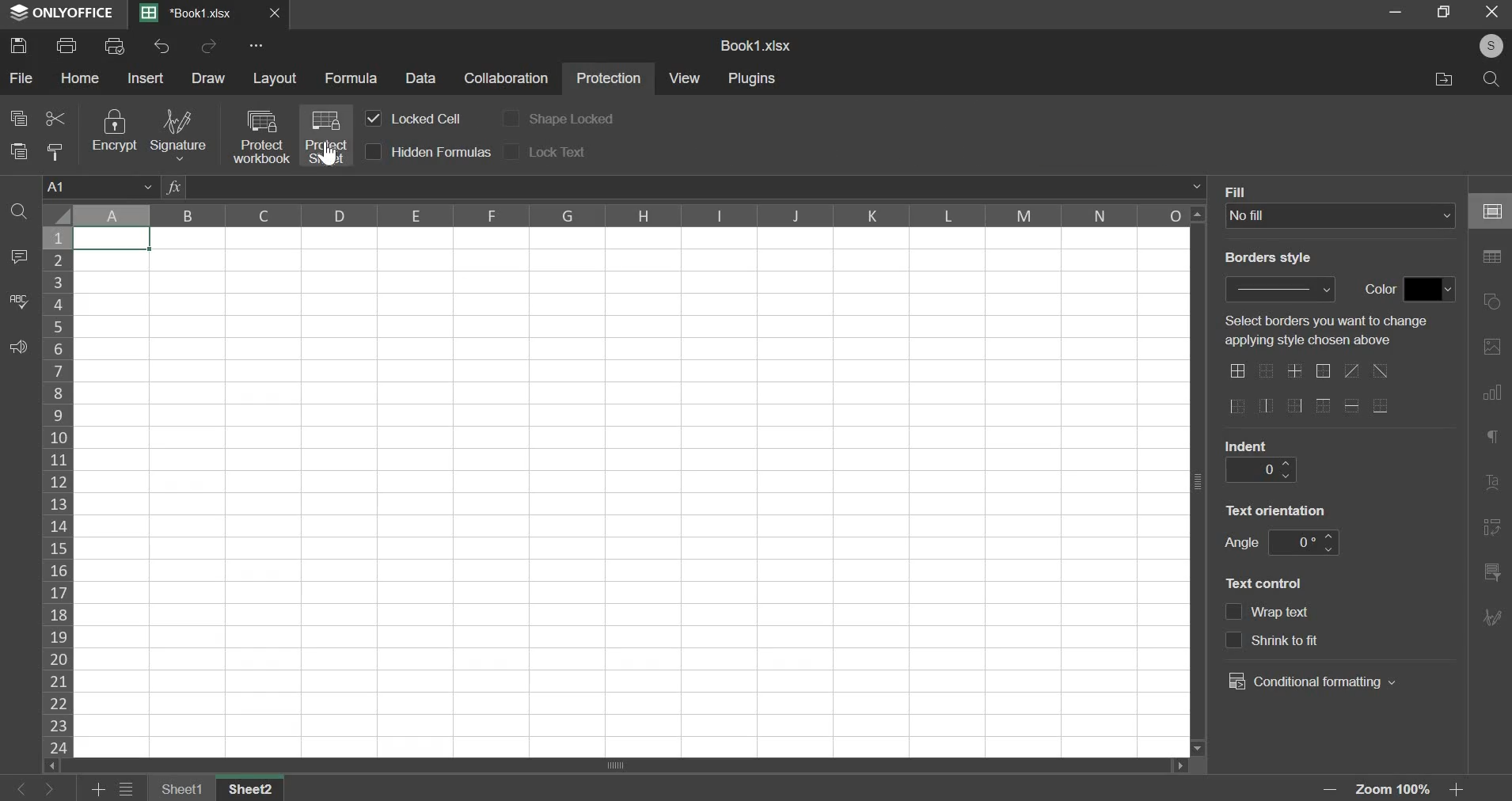 The image size is (1512, 801). What do you see at coordinates (1461, 790) in the screenshot?
I see `zoom in` at bounding box center [1461, 790].